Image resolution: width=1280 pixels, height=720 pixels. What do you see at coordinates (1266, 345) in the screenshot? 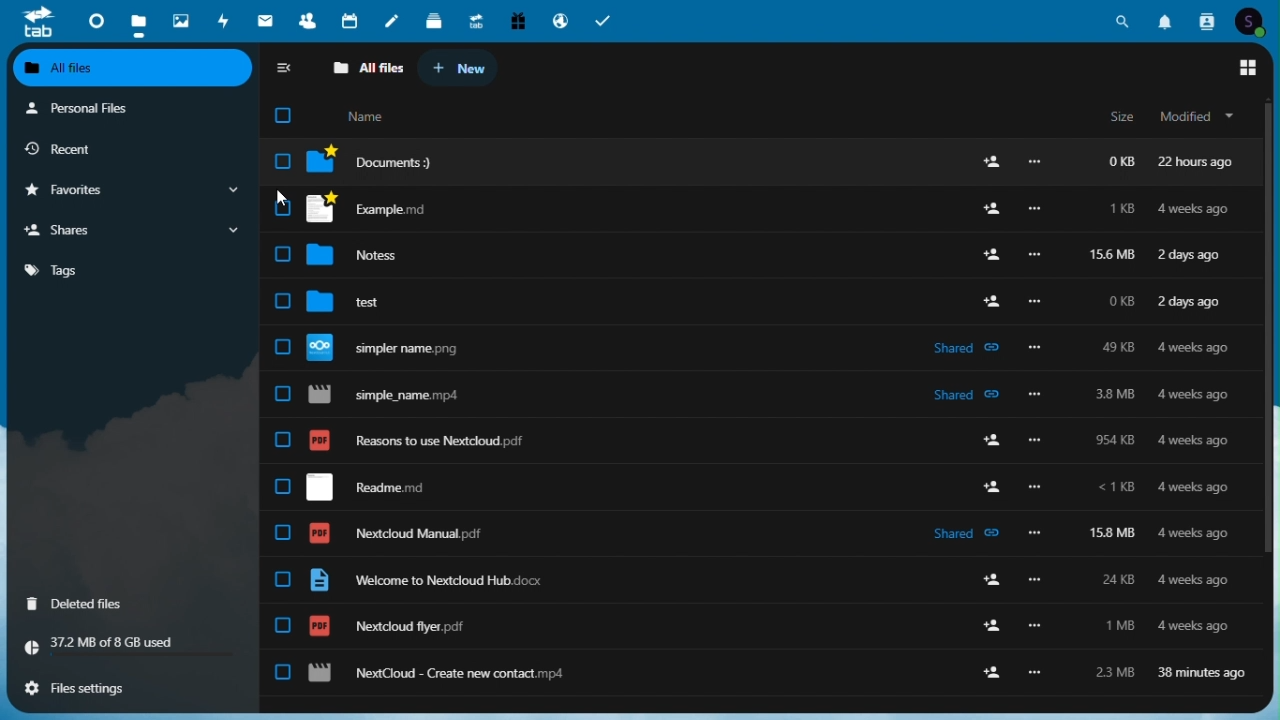
I see `scroll bar` at bounding box center [1266, 345].